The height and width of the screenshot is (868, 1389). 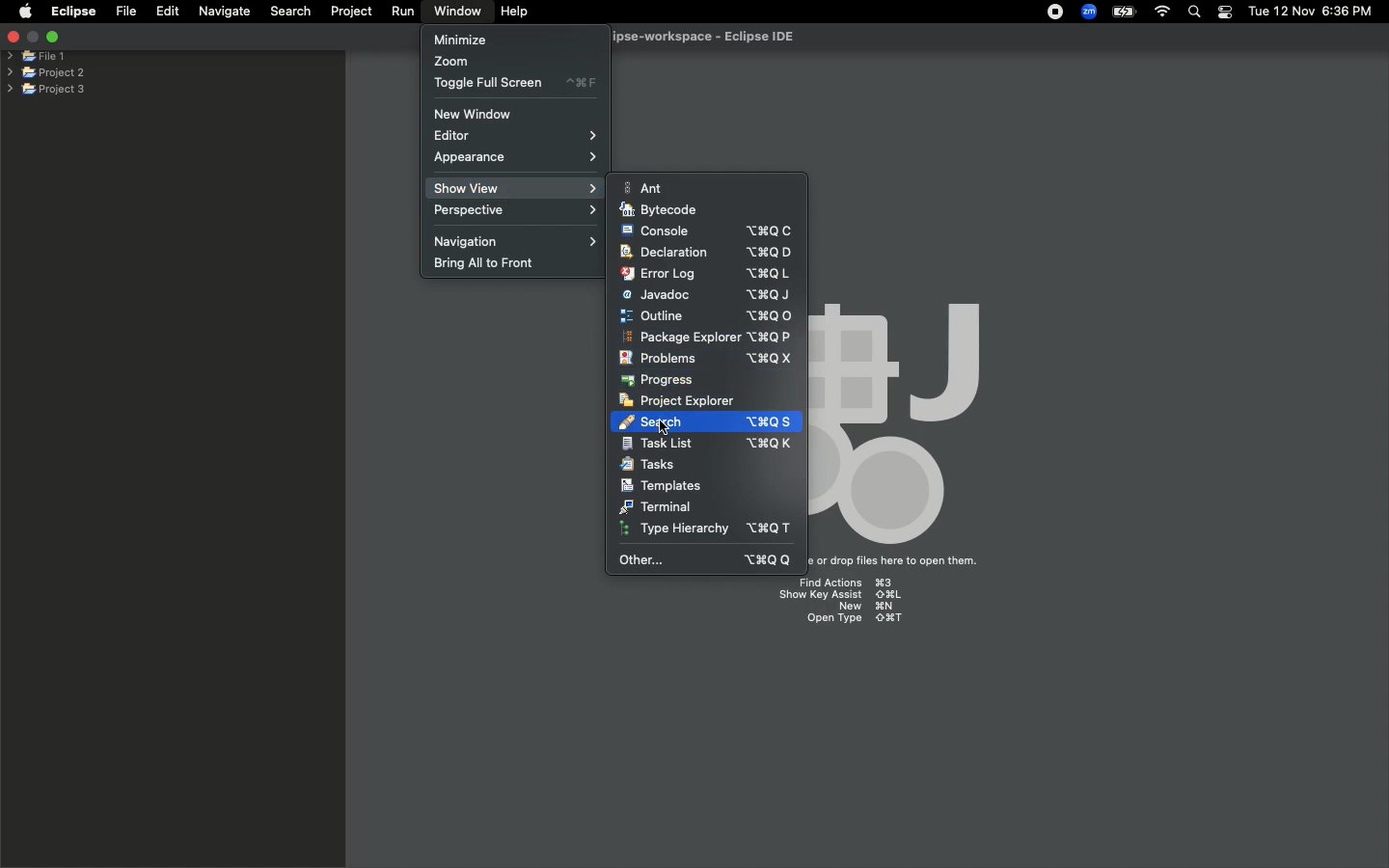 I want to click on Minimize, so click(x=52, y=36).